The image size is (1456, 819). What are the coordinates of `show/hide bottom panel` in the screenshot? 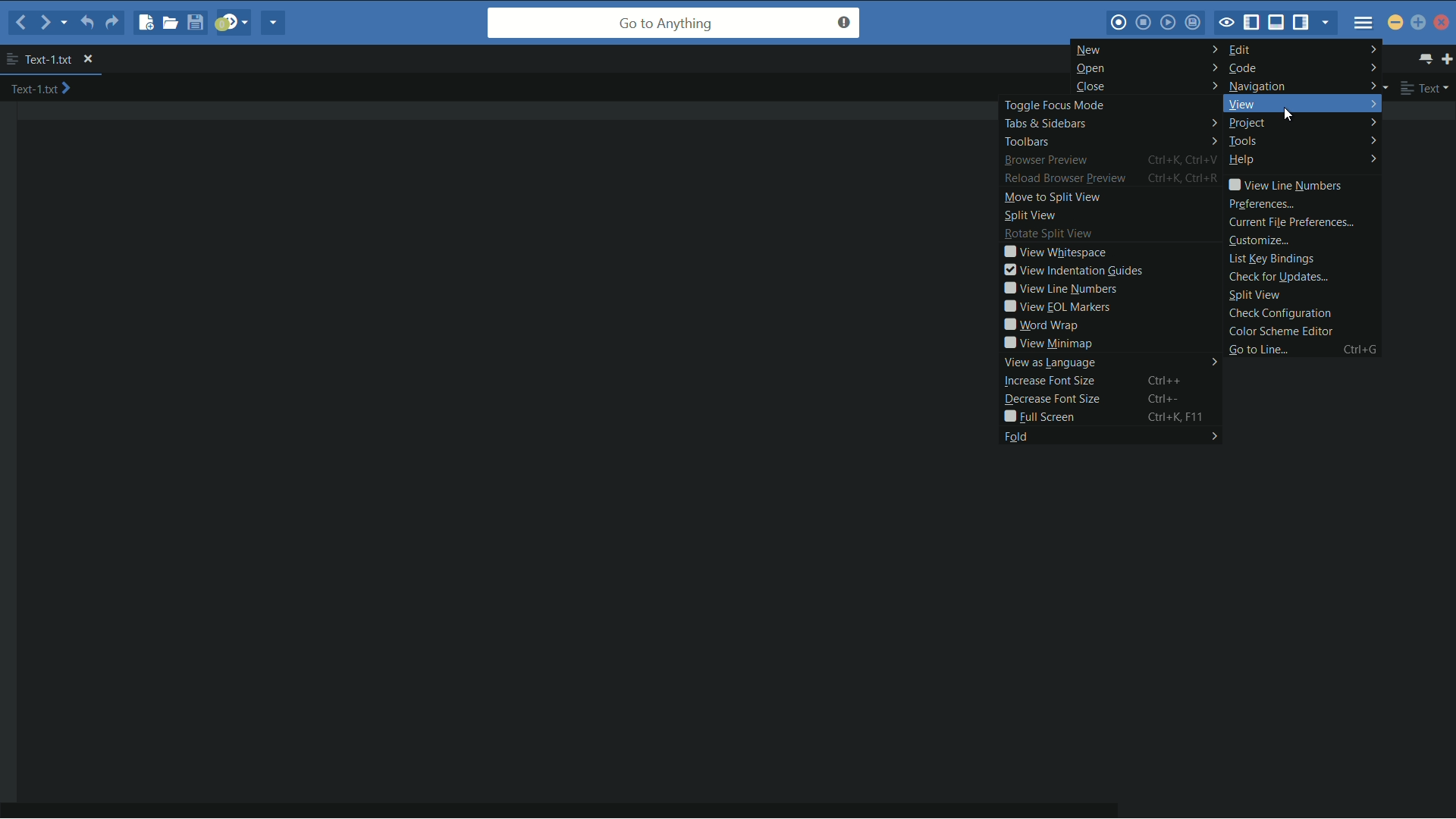 It's located at (1276, 24).